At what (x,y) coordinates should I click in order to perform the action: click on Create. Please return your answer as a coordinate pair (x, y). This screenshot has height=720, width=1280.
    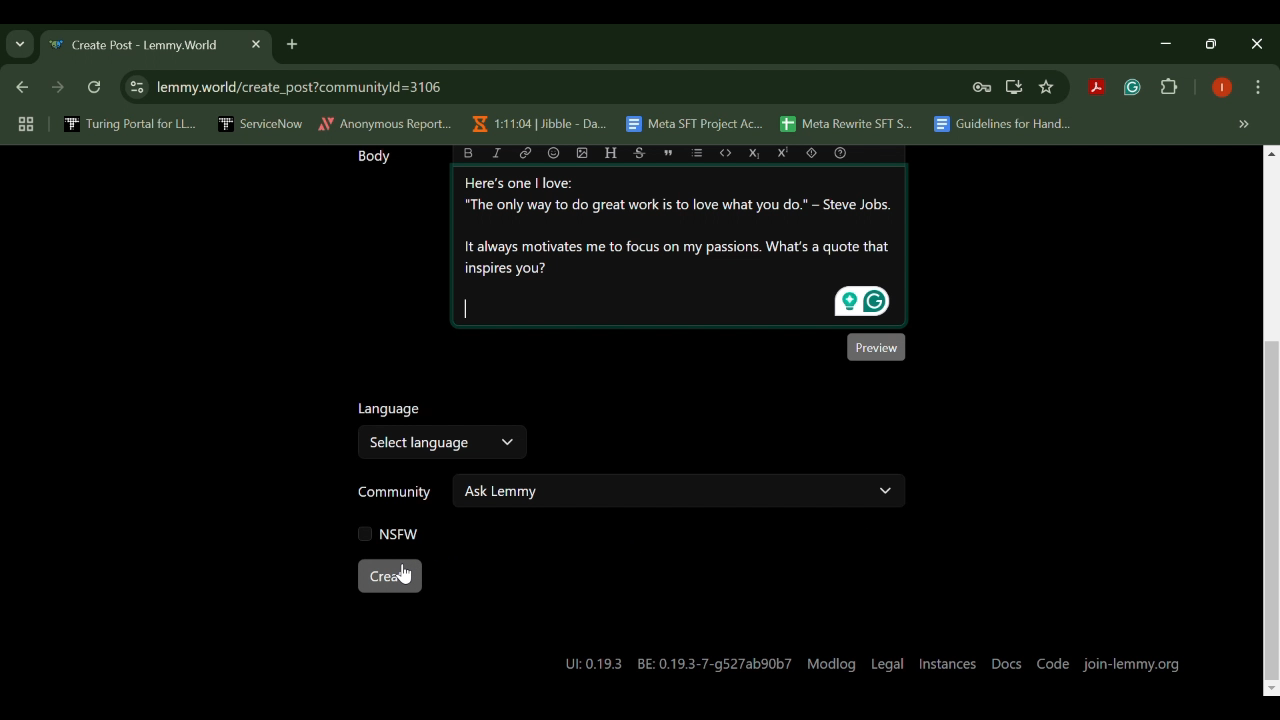
    Looking at the image, I should click on (389, 577).